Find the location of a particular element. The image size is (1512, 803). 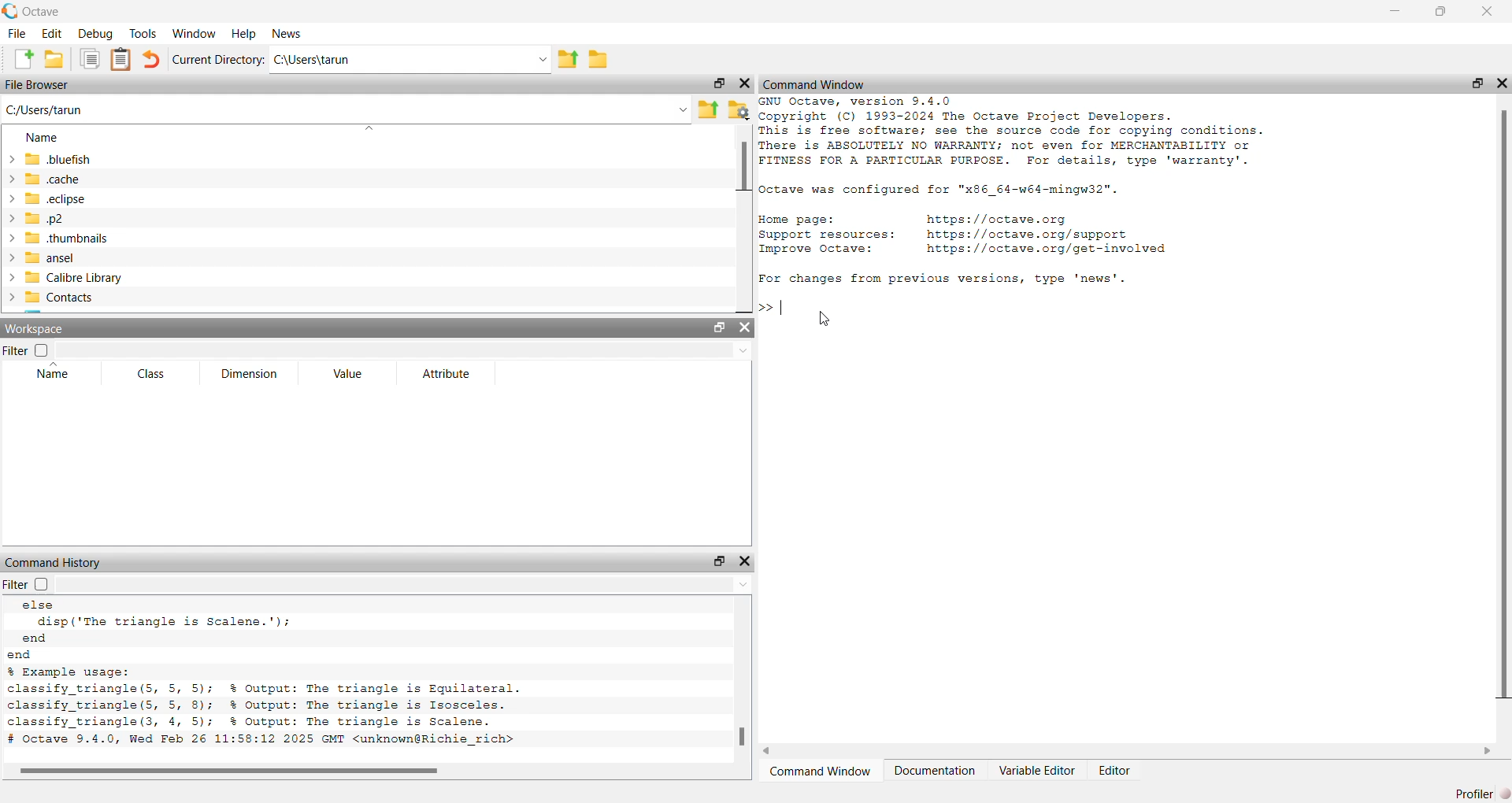

scrollbar is located at coordinates (1502, 406).